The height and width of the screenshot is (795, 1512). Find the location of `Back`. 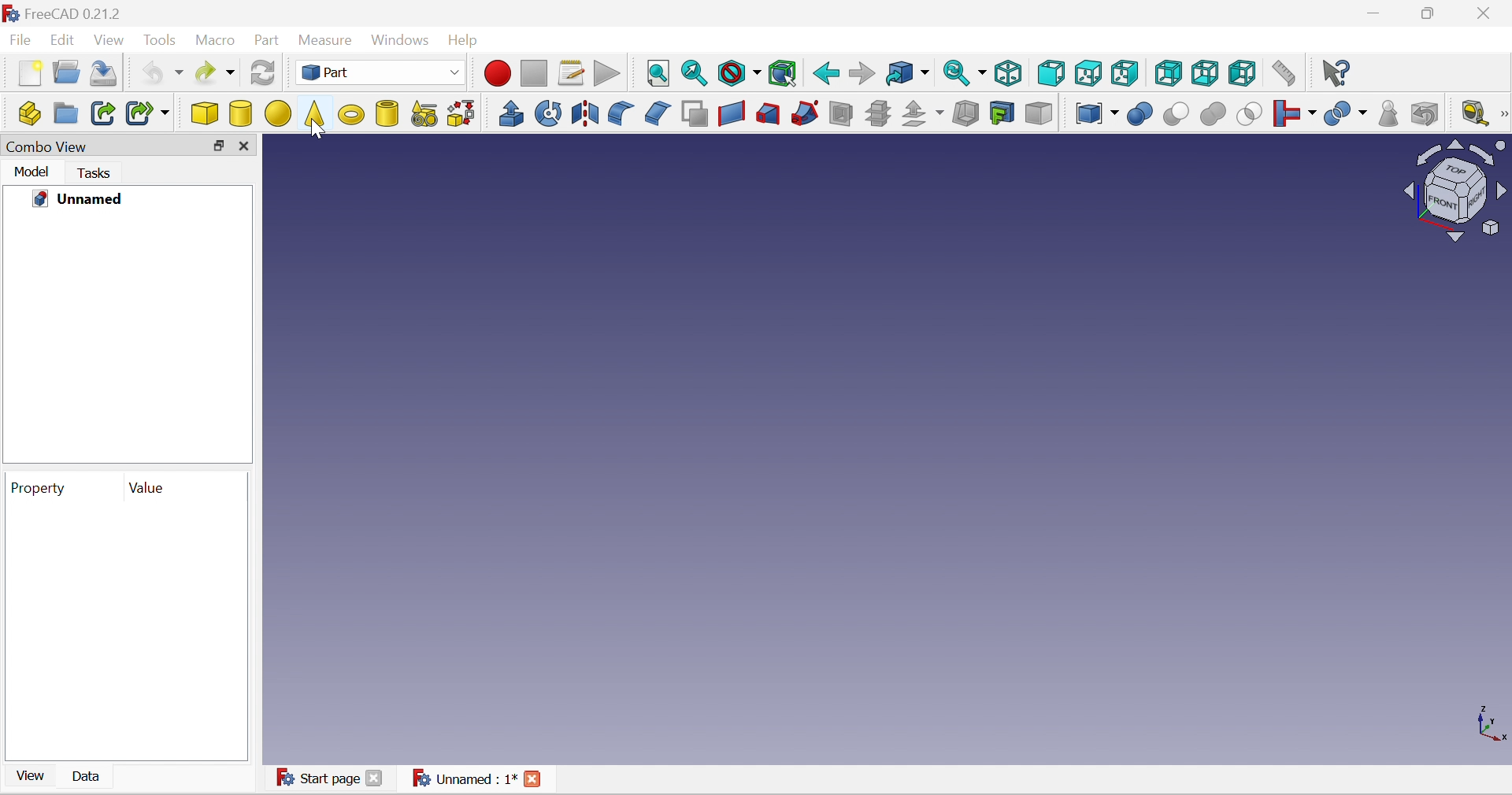

Back is located at coordinates (826, 75).